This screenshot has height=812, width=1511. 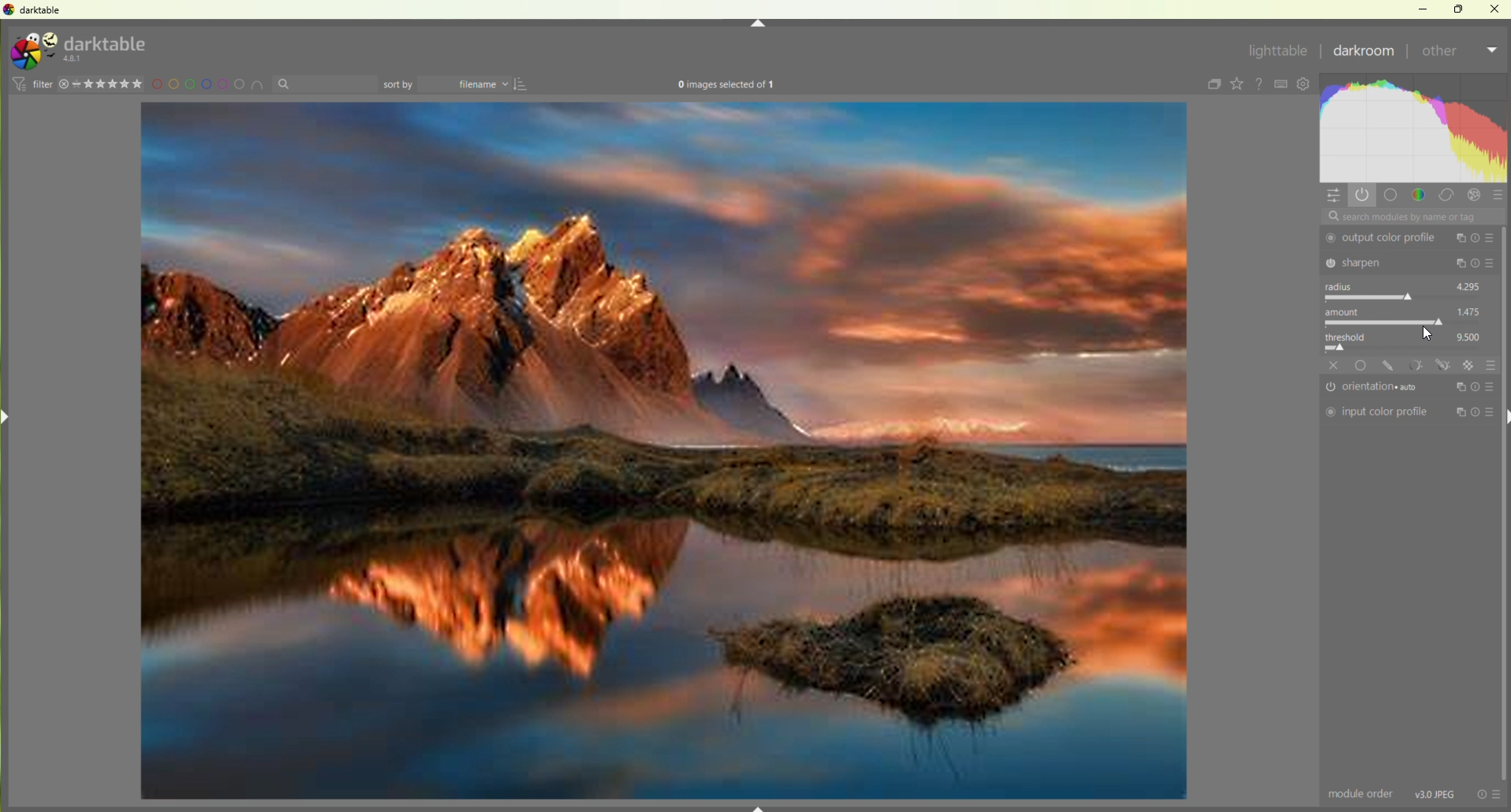 What do you see at coordinates (1412, 217) in the screenshot?
I see `search` at bounding box center [1412, 217].